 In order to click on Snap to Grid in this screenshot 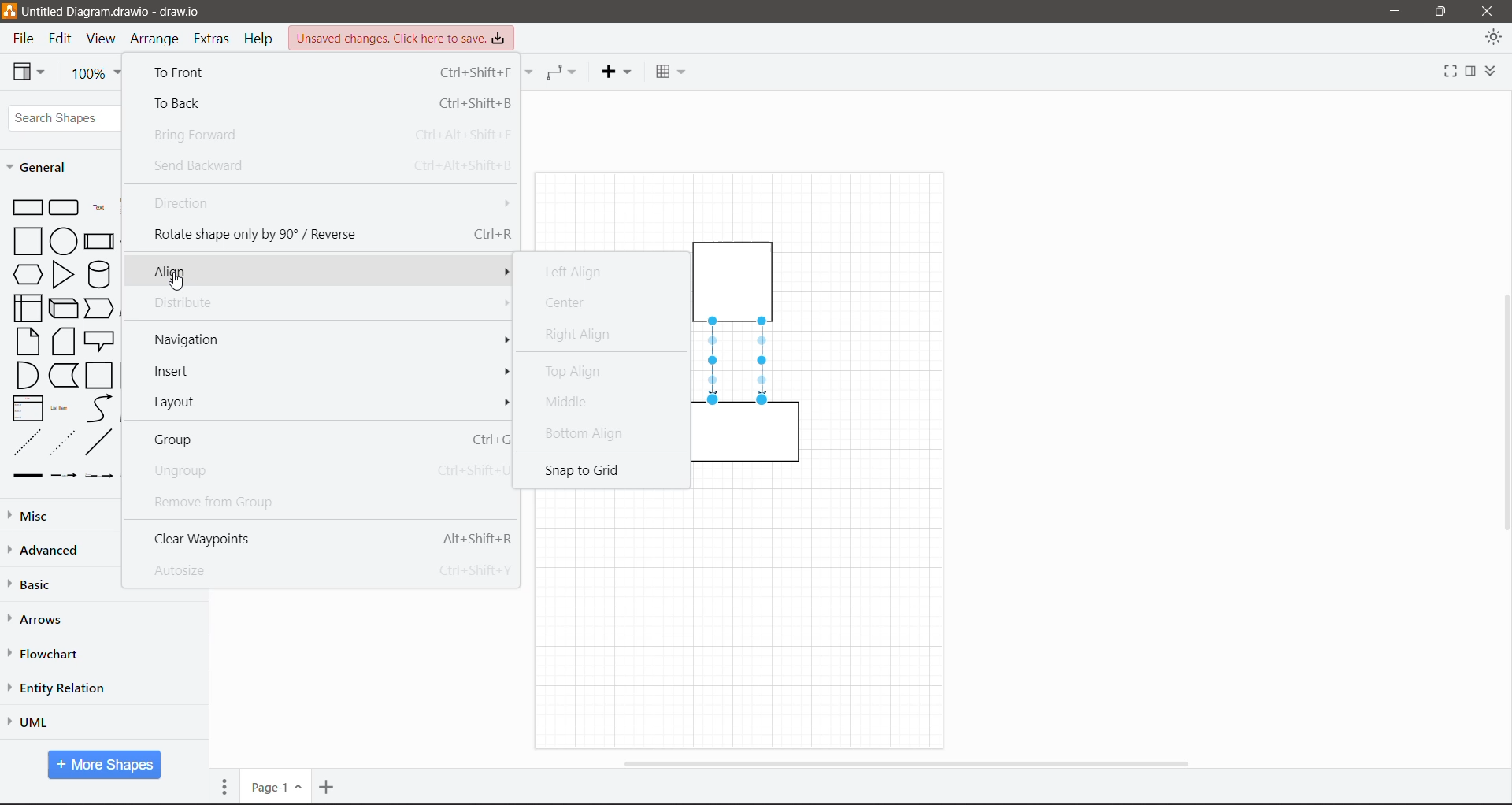, I will do `click(593, 472)`.